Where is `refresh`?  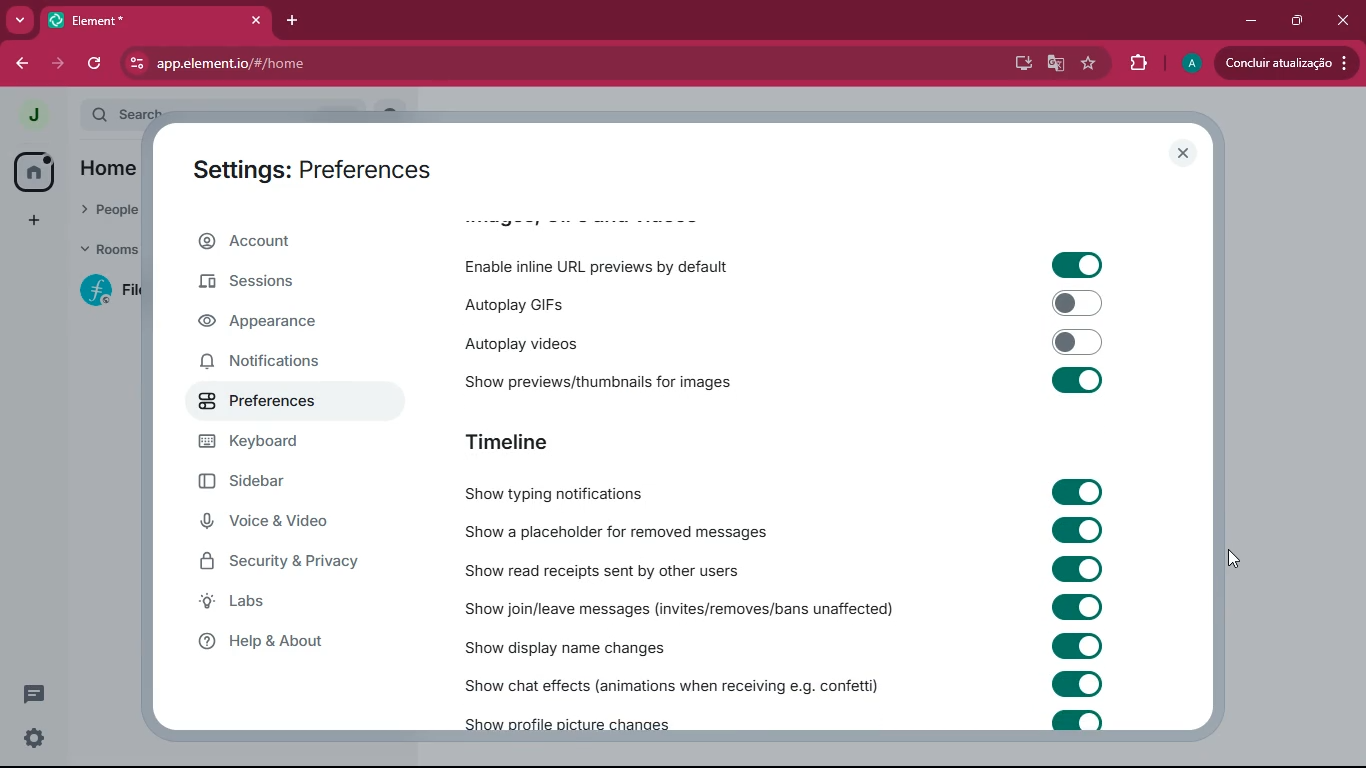 refresh is located at coordinates (96, 65).